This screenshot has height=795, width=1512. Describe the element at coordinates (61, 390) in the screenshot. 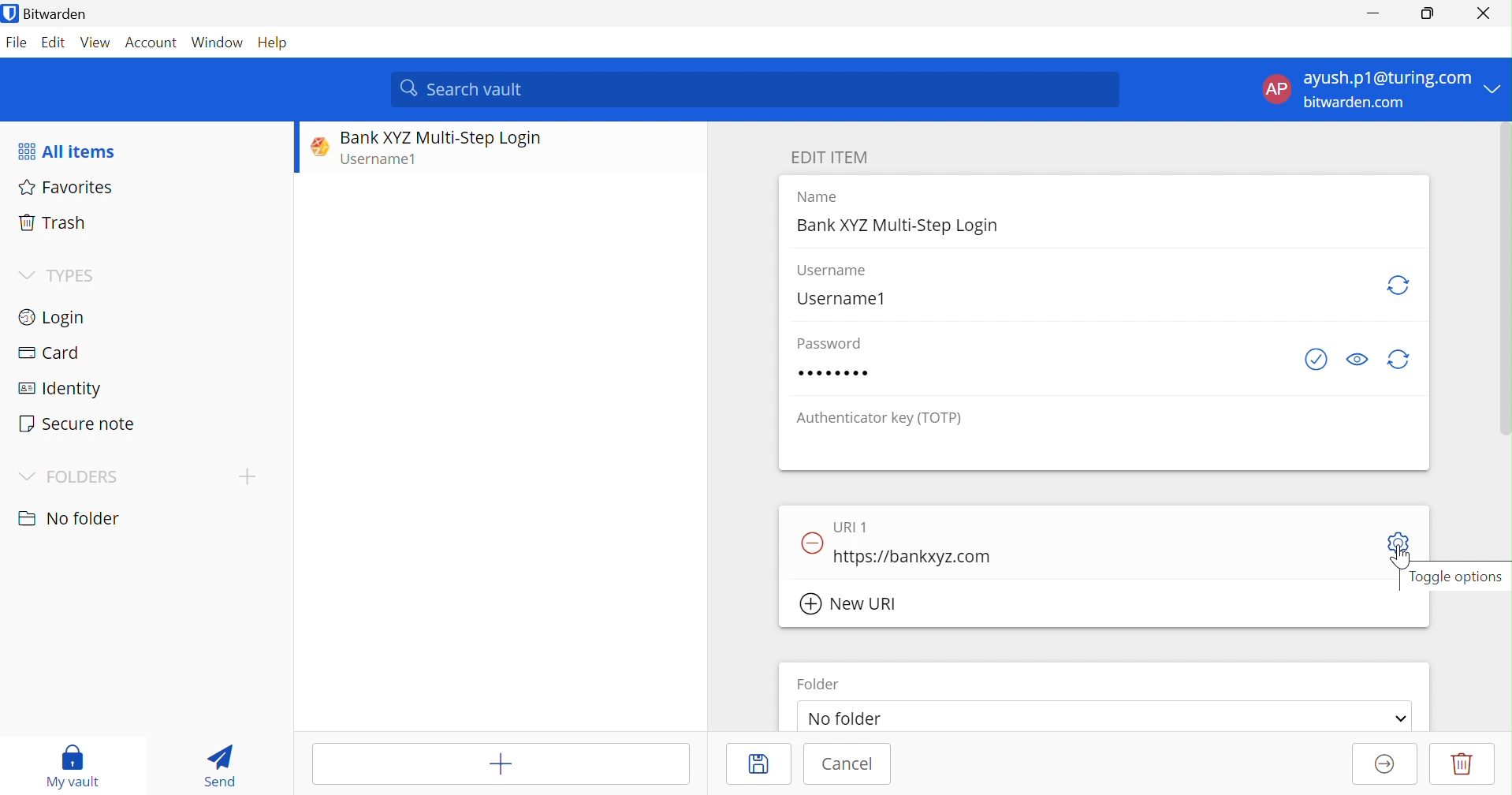

I see `Identity` at that location.